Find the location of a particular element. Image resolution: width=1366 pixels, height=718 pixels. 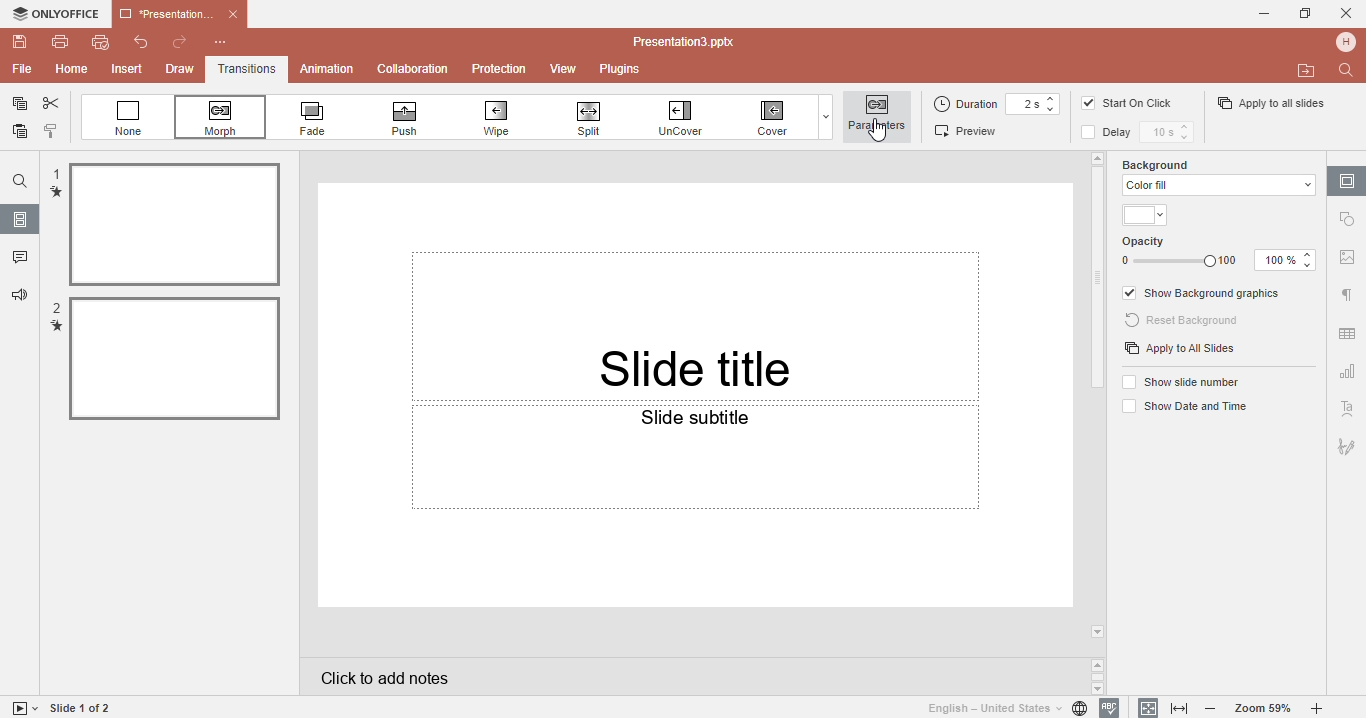

Document name is located at coordinates (178, 12).